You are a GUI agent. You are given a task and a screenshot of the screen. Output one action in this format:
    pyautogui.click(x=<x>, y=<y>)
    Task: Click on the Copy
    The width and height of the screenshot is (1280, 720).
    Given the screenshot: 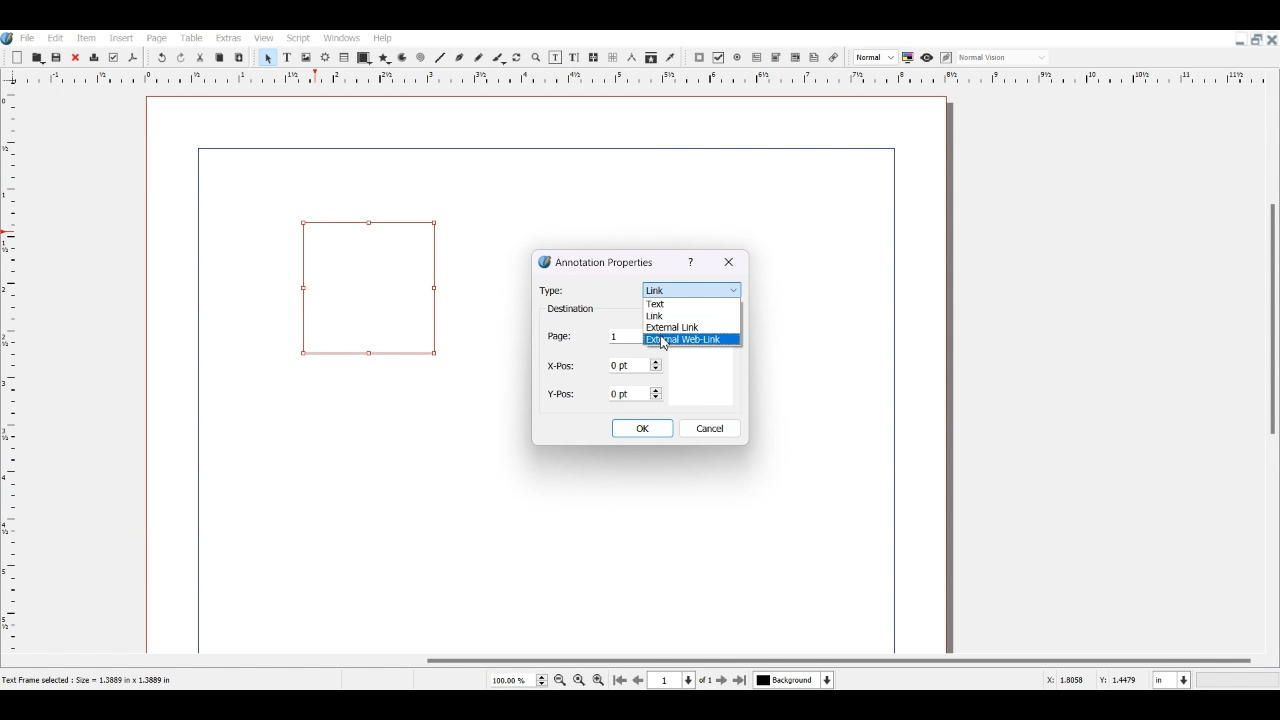 What is the action you would take?
    pyautogui.click(x=218, y=57)
    